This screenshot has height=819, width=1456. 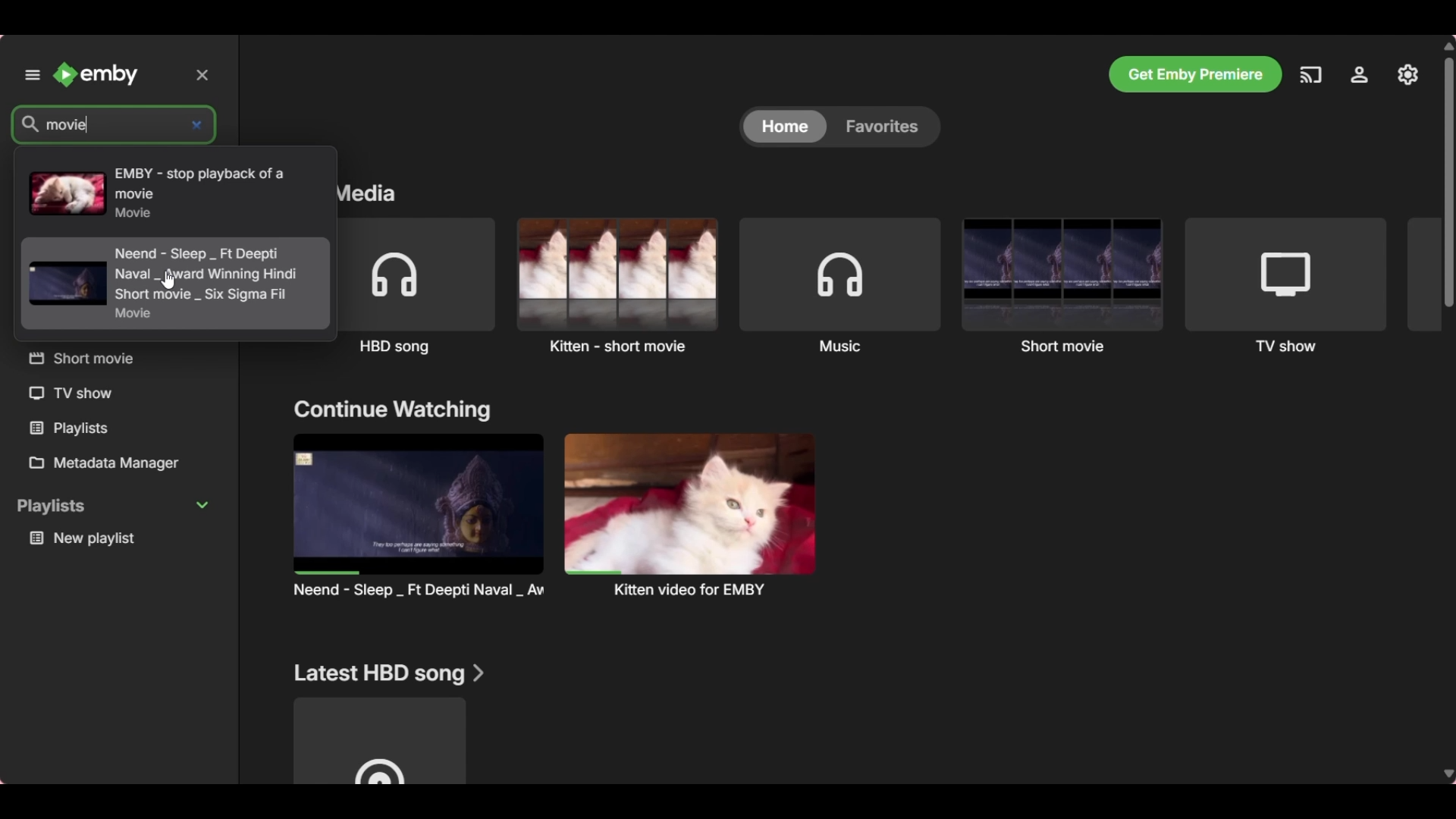 I want to click on Get Emby premier, so click(x=1197, y=74).